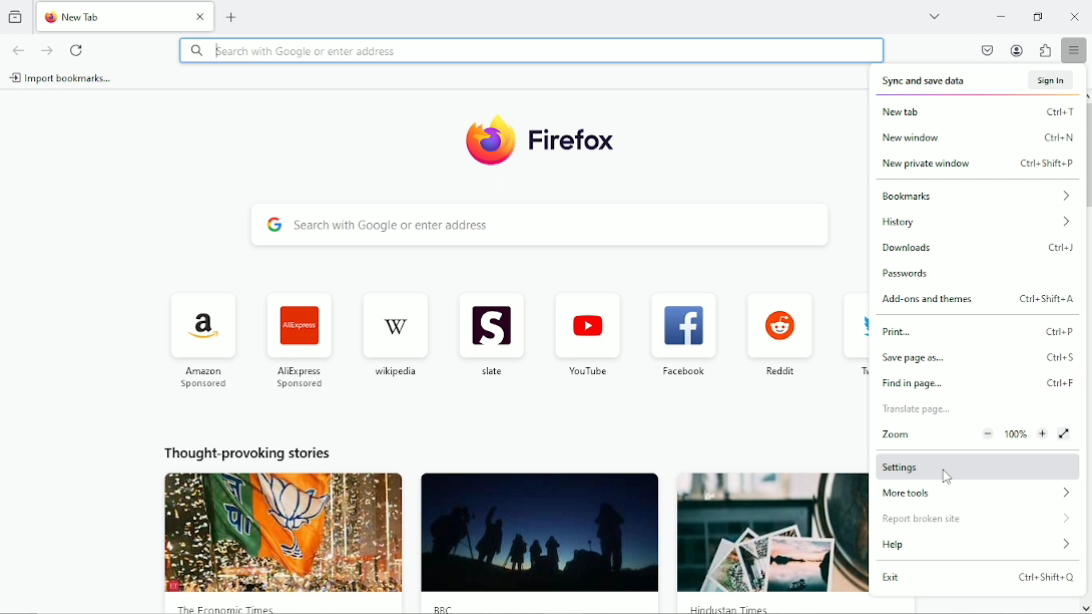 This screenshot has width=1092, height=614. I want to click on find in page, so click(919, 411).